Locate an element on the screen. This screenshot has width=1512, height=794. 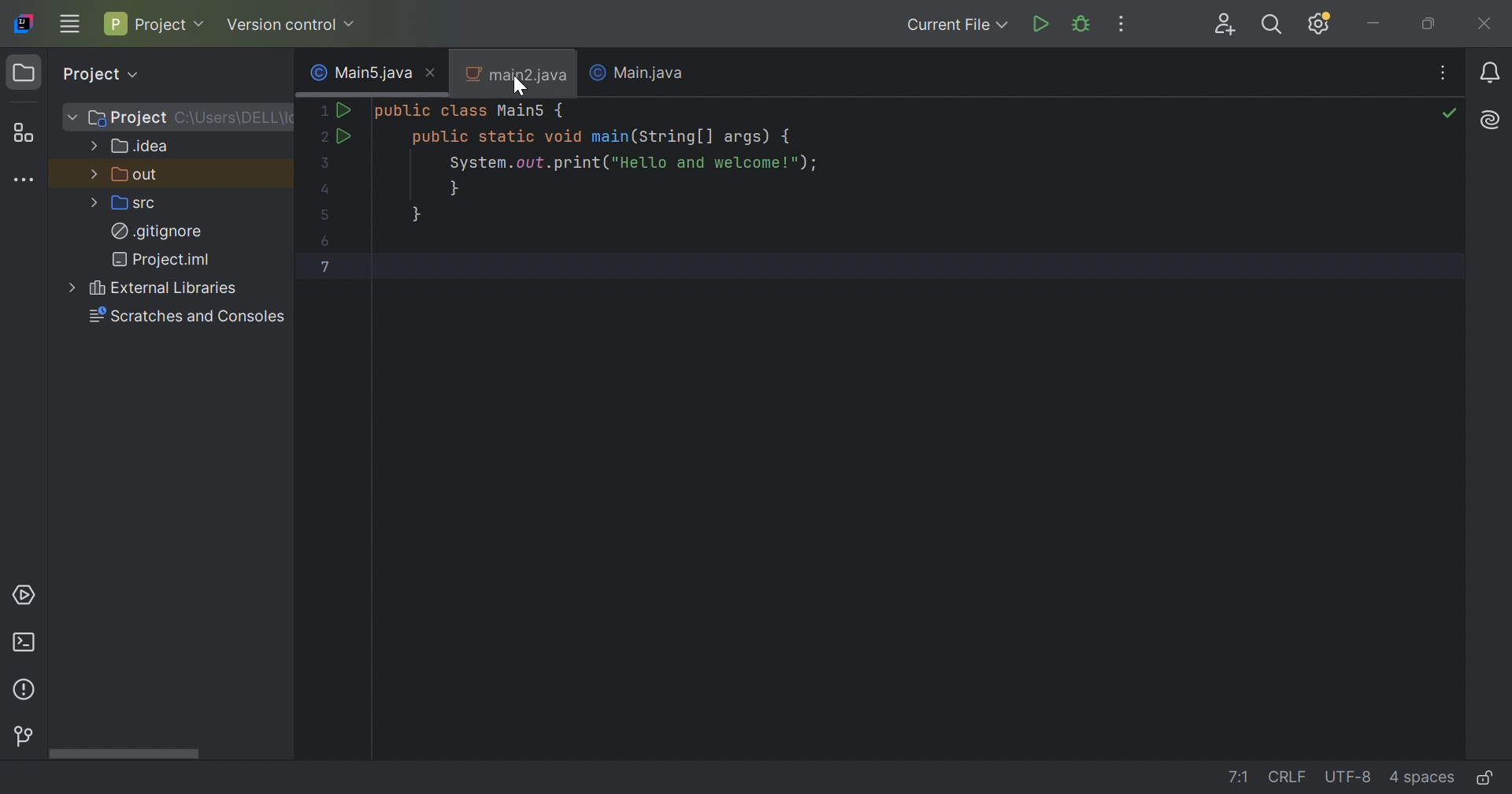
Scratches and consoles is located at coordinates (190, 316).